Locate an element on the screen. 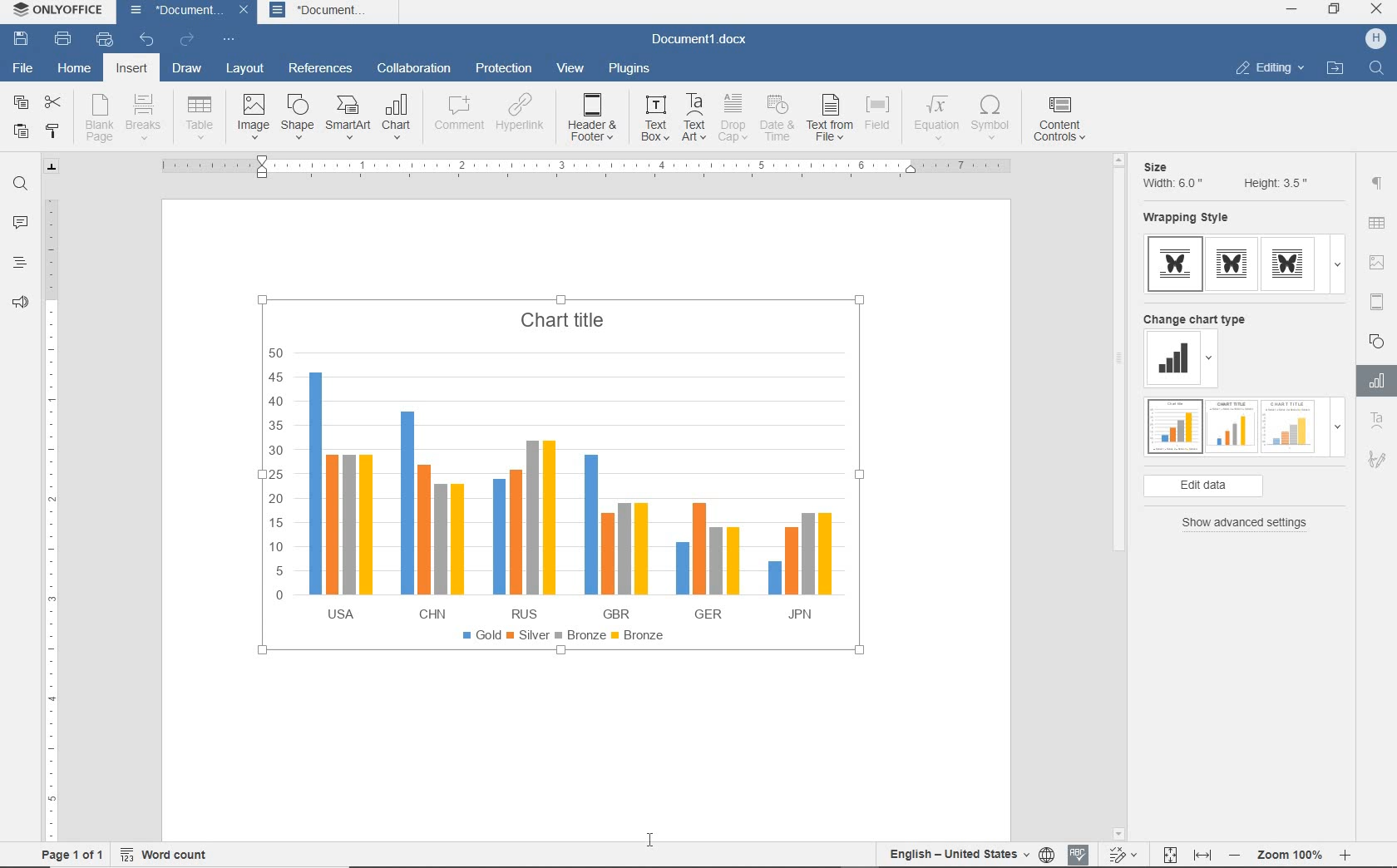 The image size is (1397, 868). scrollbar is located at coordinates (1118, 495).